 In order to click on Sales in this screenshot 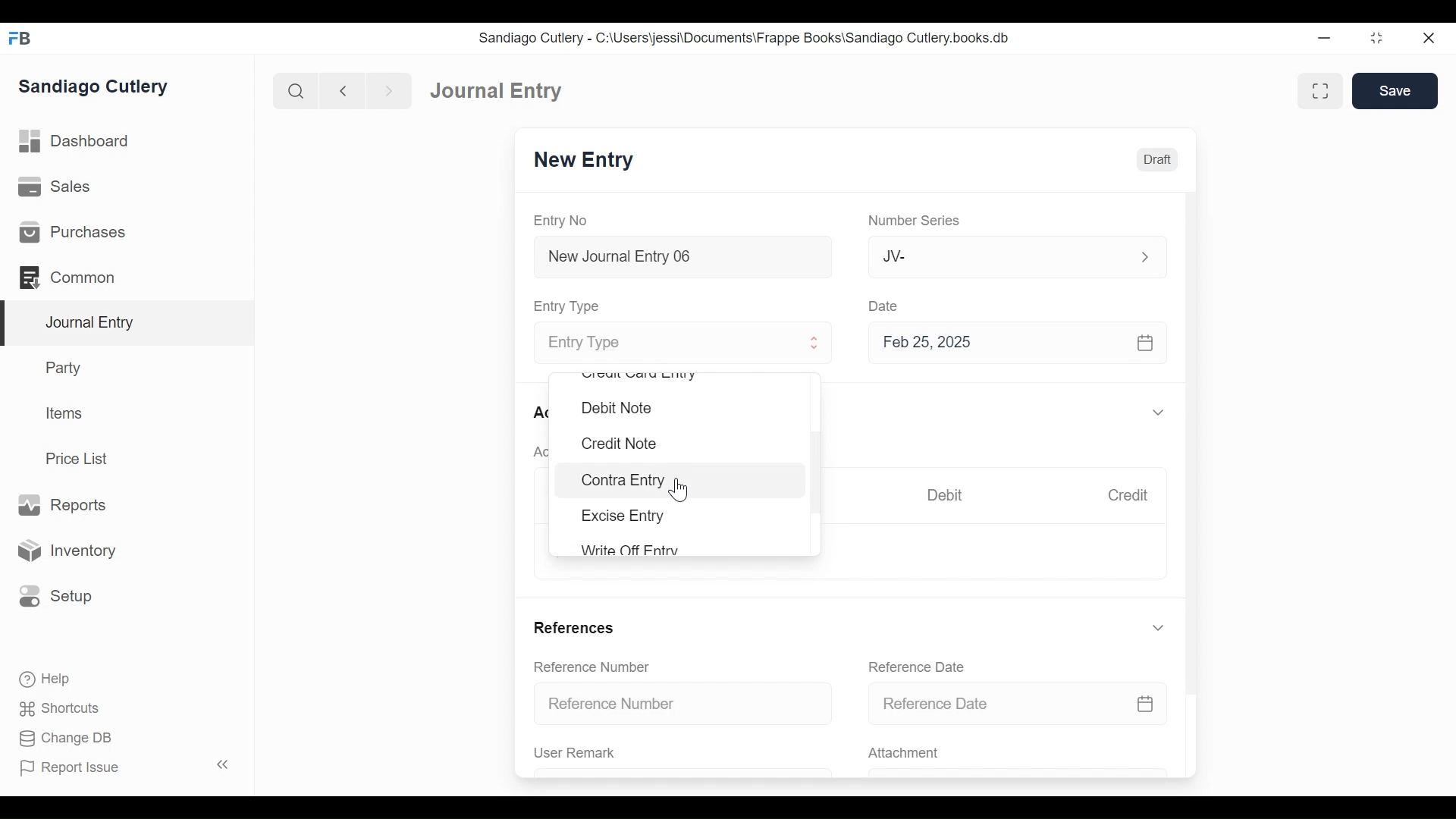, I will do `click(60, 187)`.